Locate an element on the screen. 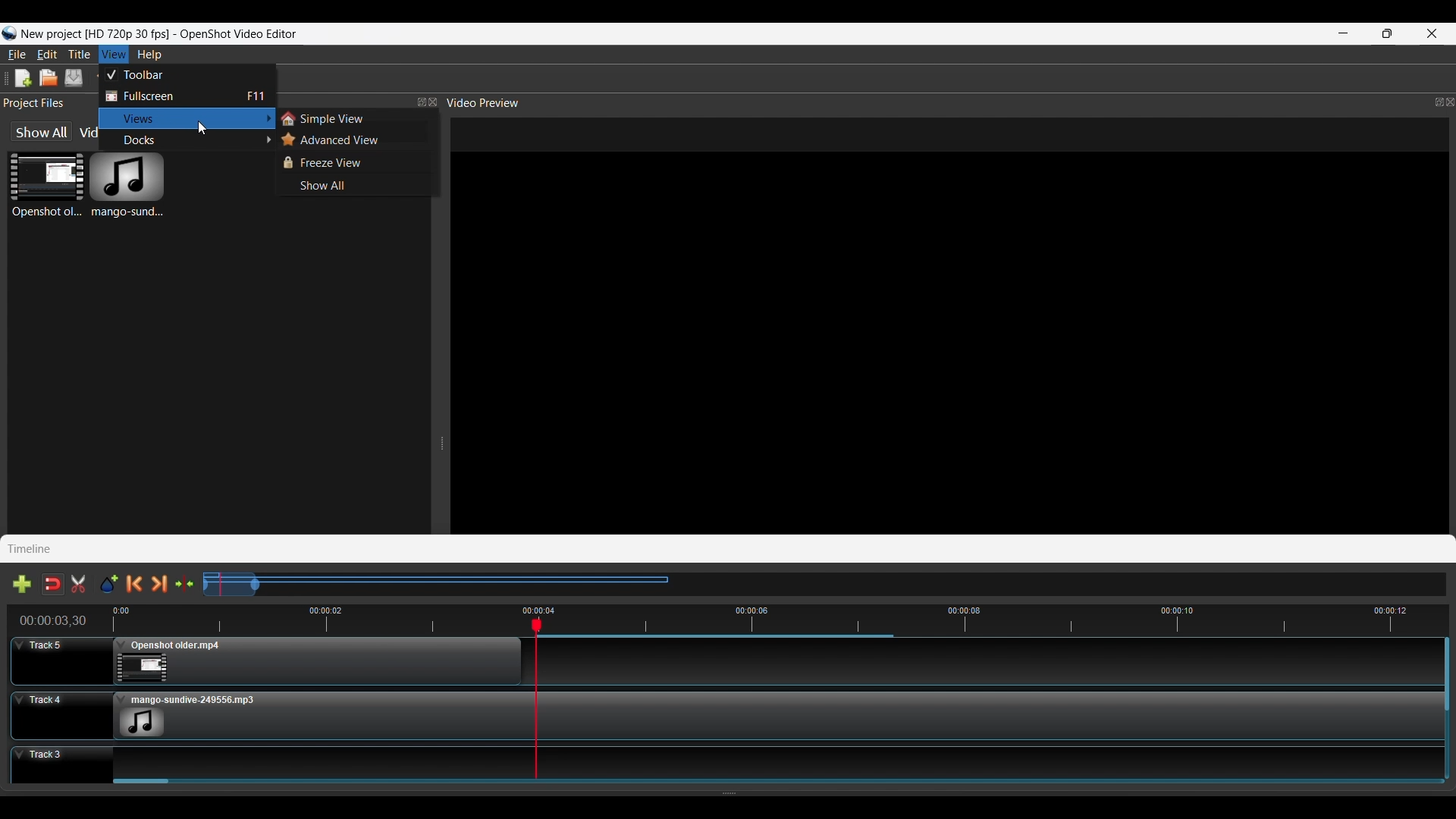 The image size is (1456, 819). Close is located at coordinates (432, 102).